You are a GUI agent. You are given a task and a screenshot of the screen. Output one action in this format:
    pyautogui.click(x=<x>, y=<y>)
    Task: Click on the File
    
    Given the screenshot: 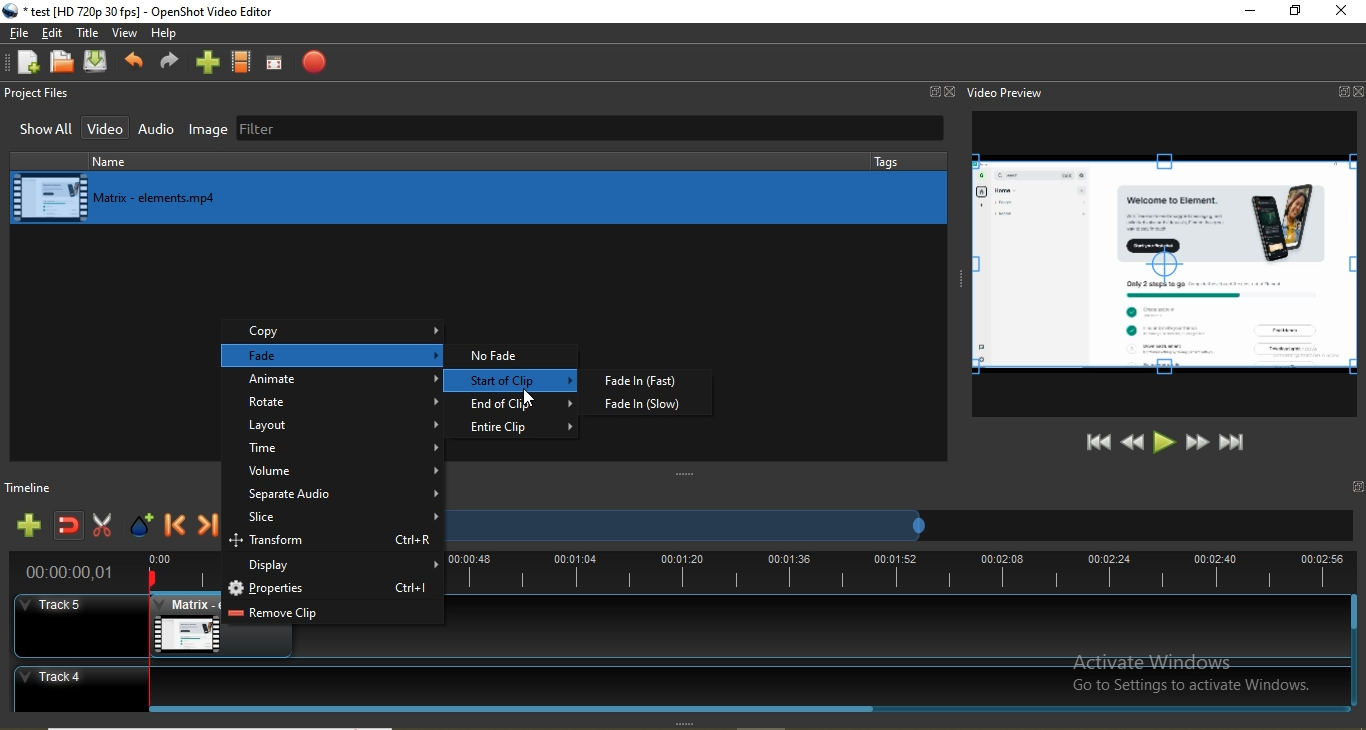 What is the action you would take?
    pyautogui.click(x=17, y=34)
    